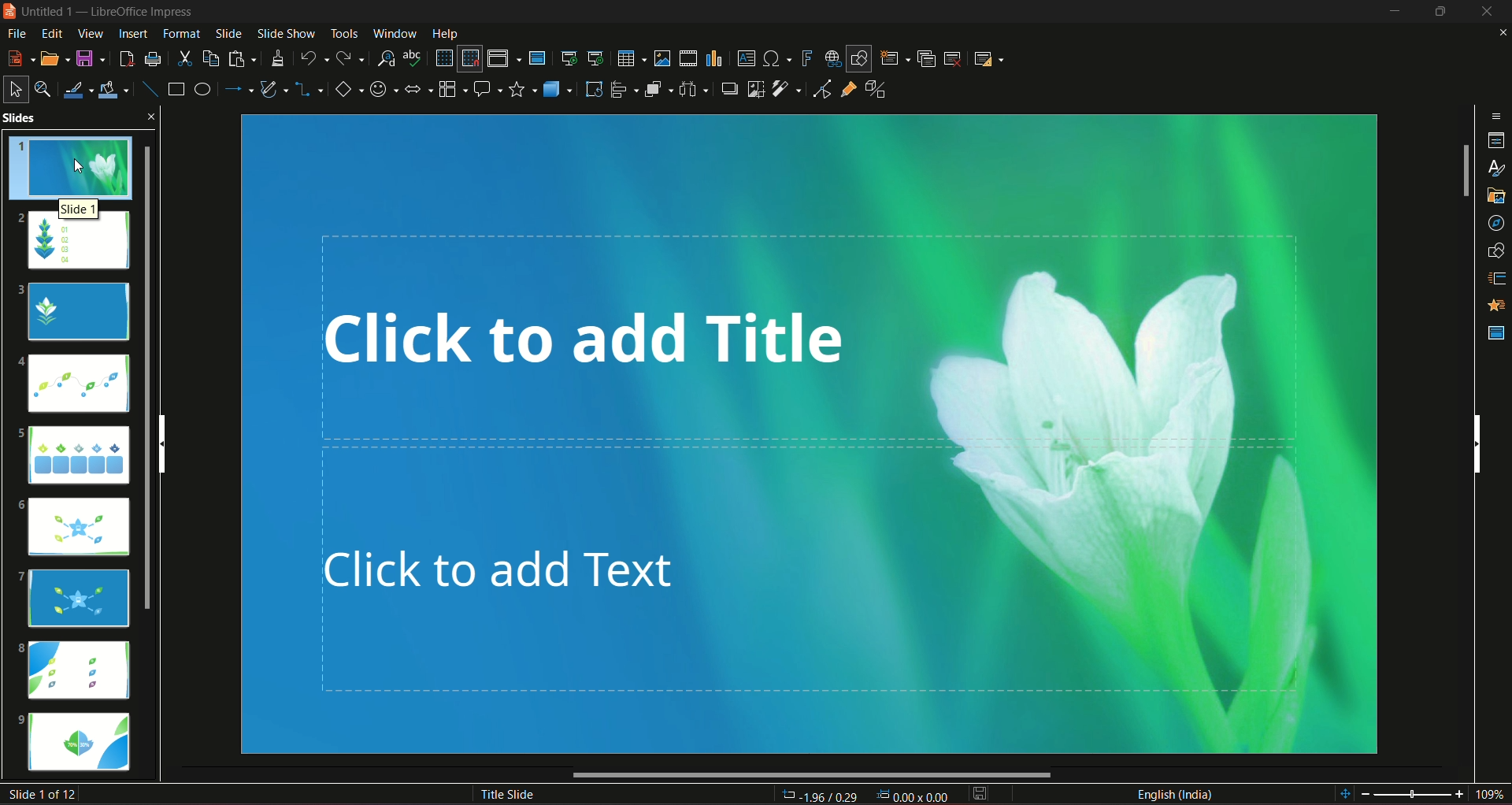  Describe the element at coordinates (539, 57) in the screenshot. I see `master slide` at that location.